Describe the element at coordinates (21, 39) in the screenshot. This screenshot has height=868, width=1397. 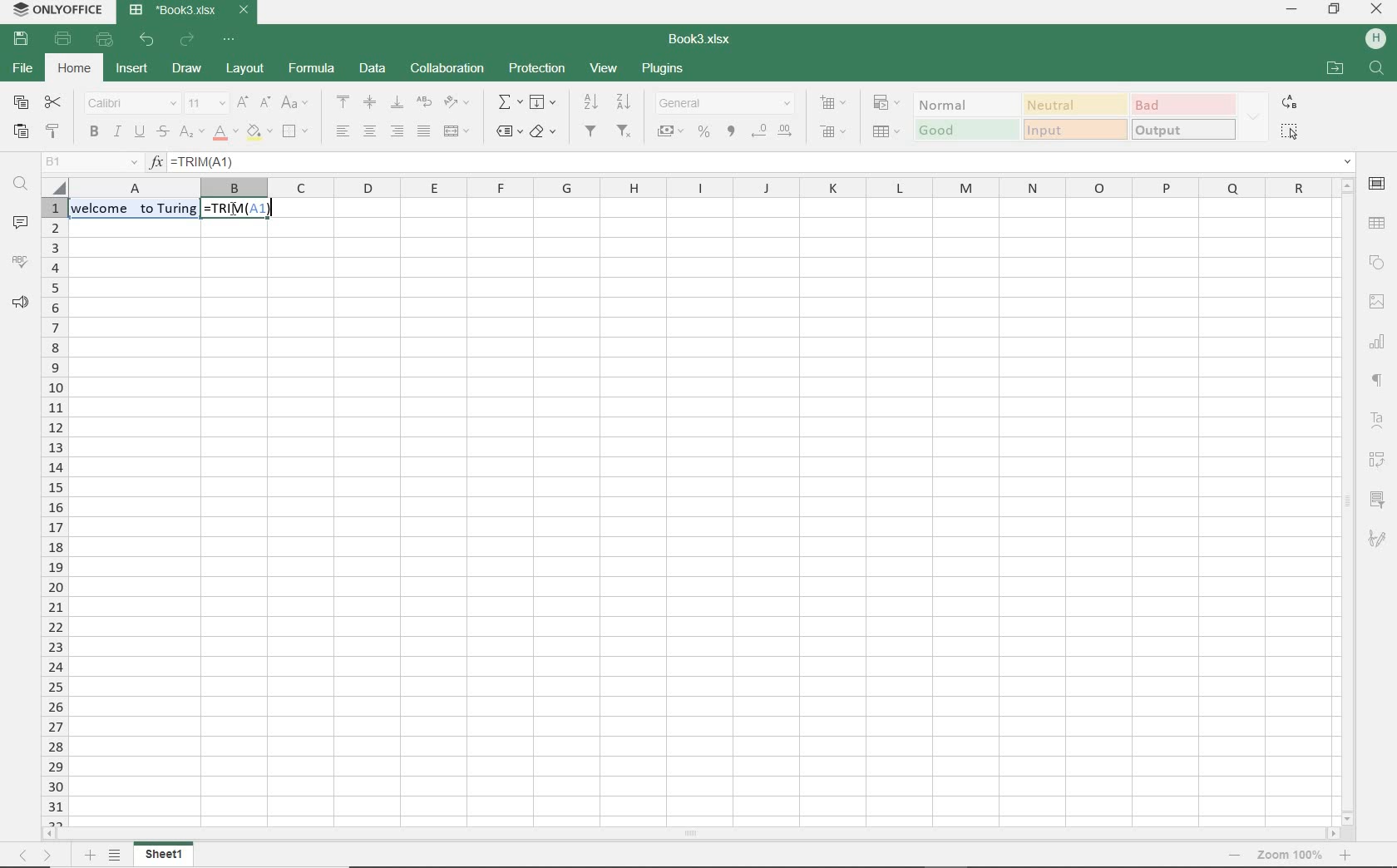
I see `save` at that location.